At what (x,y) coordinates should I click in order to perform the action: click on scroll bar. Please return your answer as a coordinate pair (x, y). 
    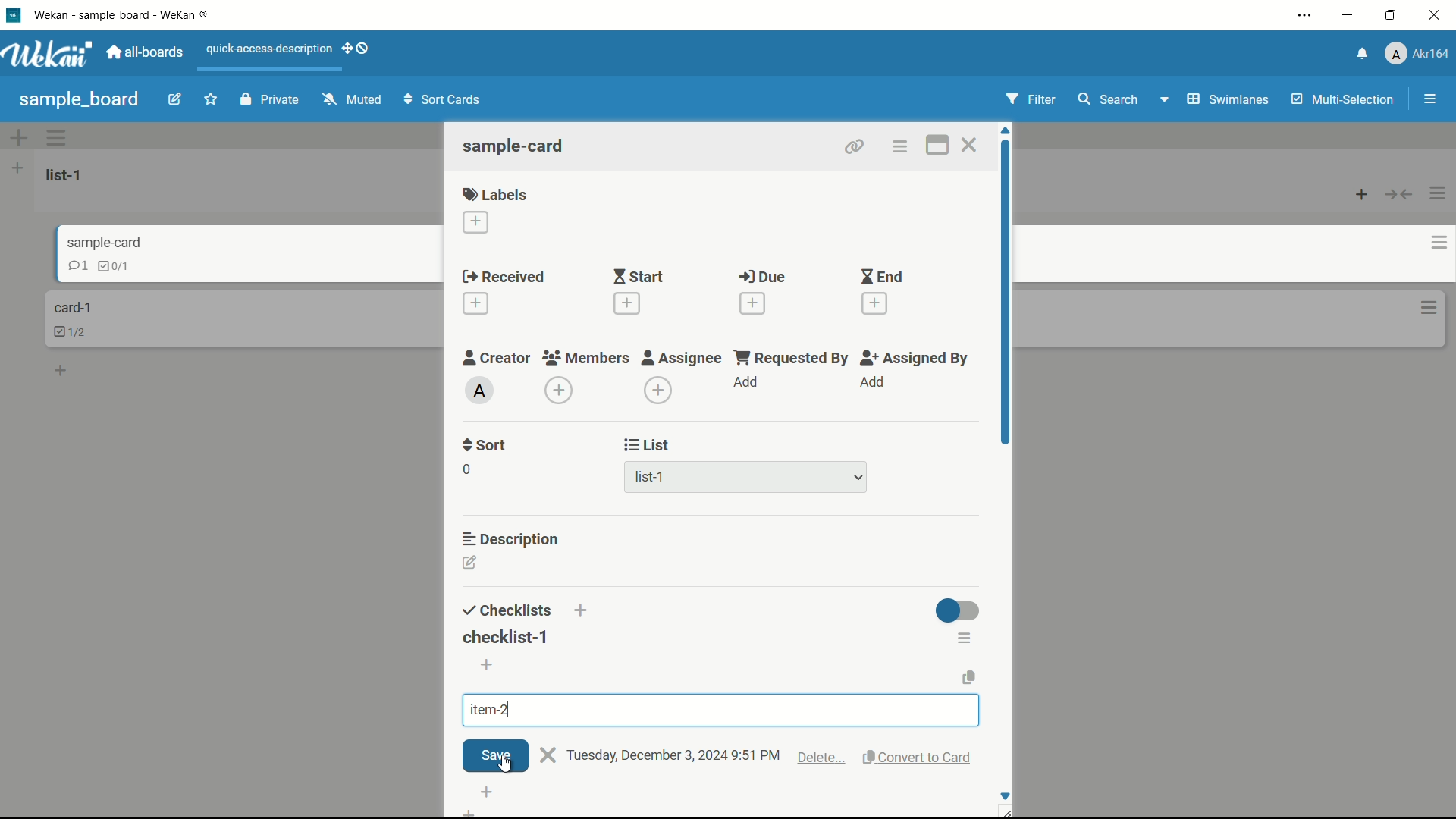
    Looking at the image, I should click on (1007, 302).